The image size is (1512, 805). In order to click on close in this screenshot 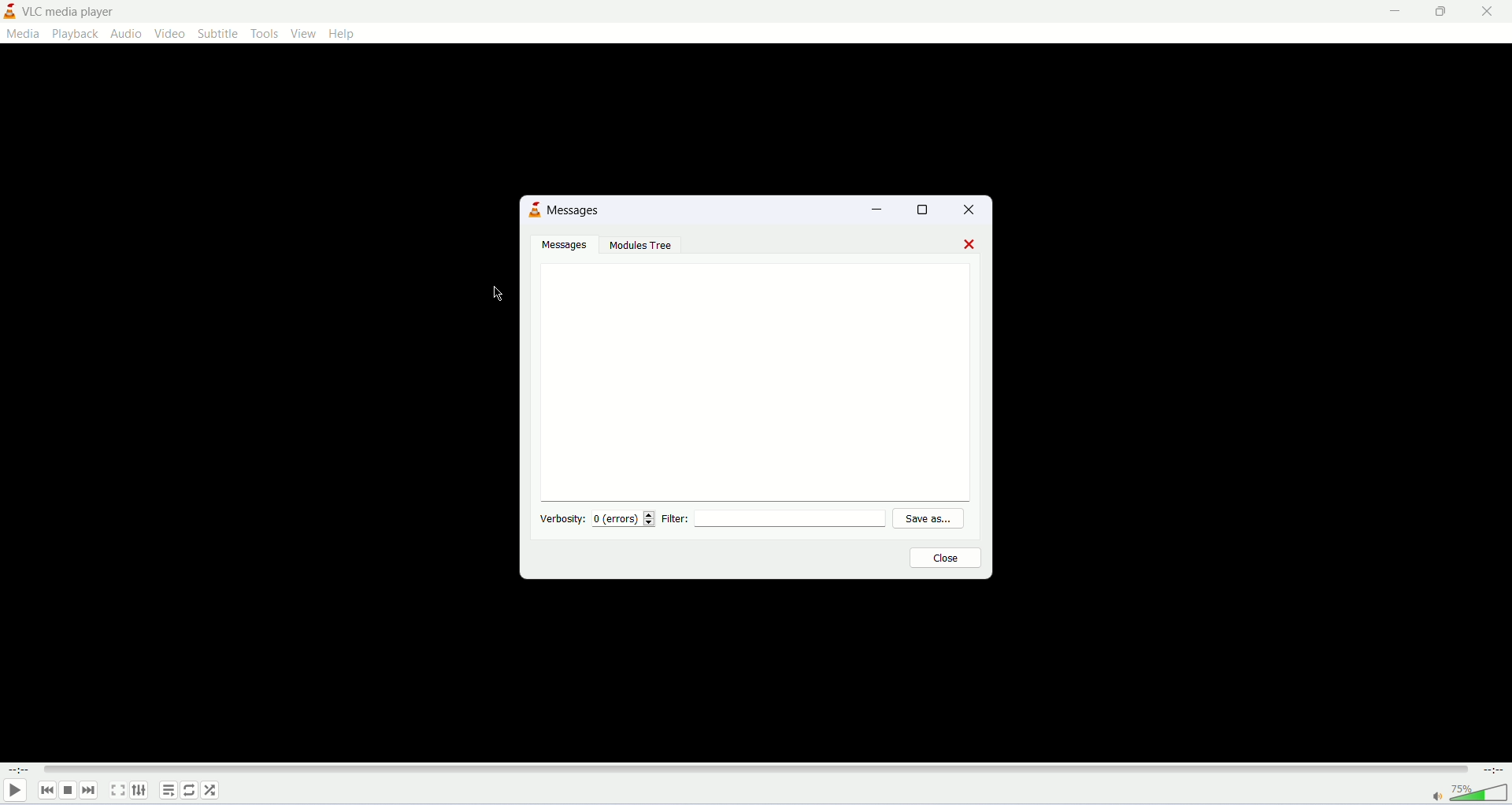, I will do `click(975, 210)`.